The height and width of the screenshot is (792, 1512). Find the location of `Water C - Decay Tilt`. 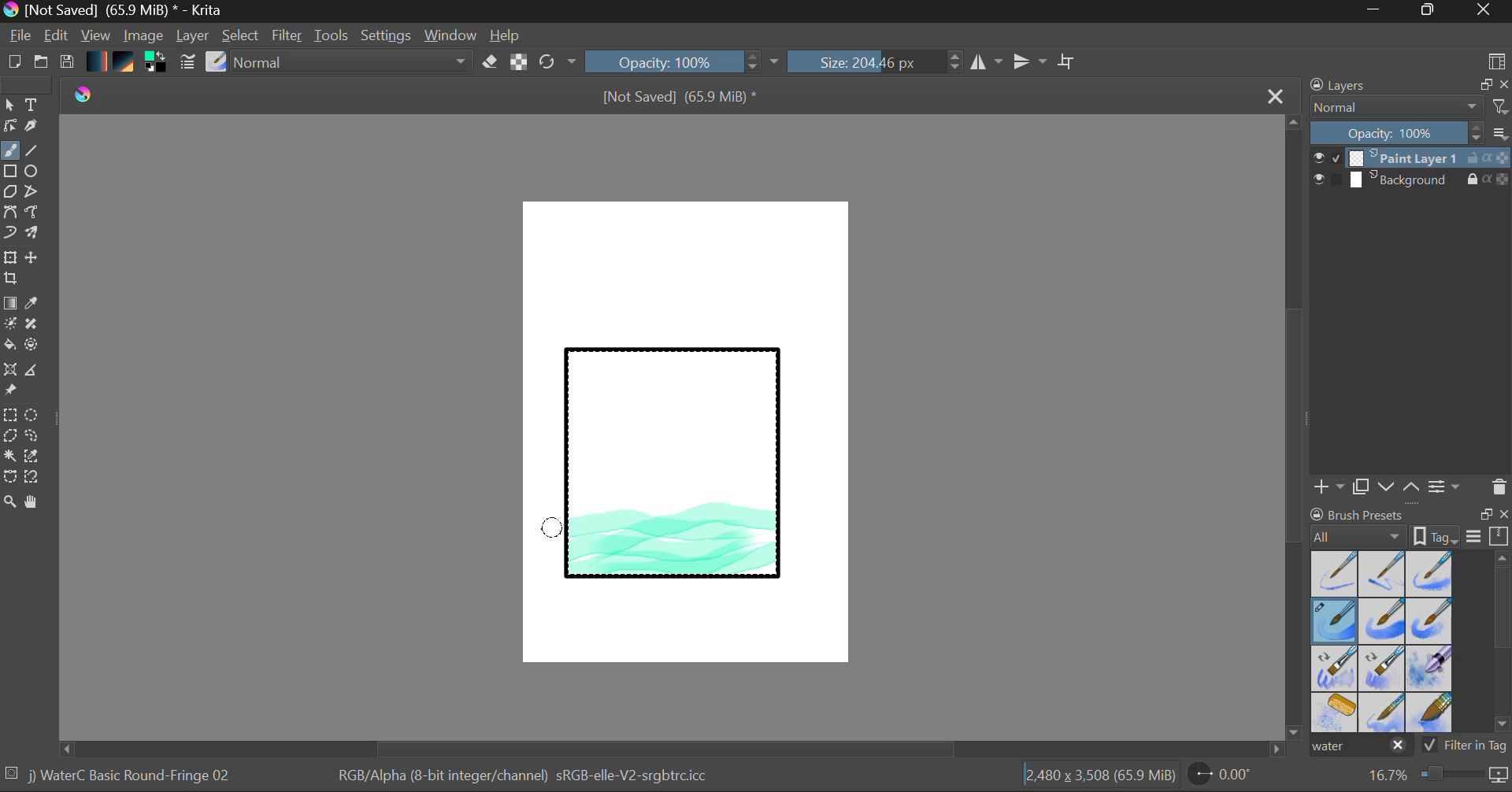

Water C - Decay Tilt is located at coordinates (1382, 667).